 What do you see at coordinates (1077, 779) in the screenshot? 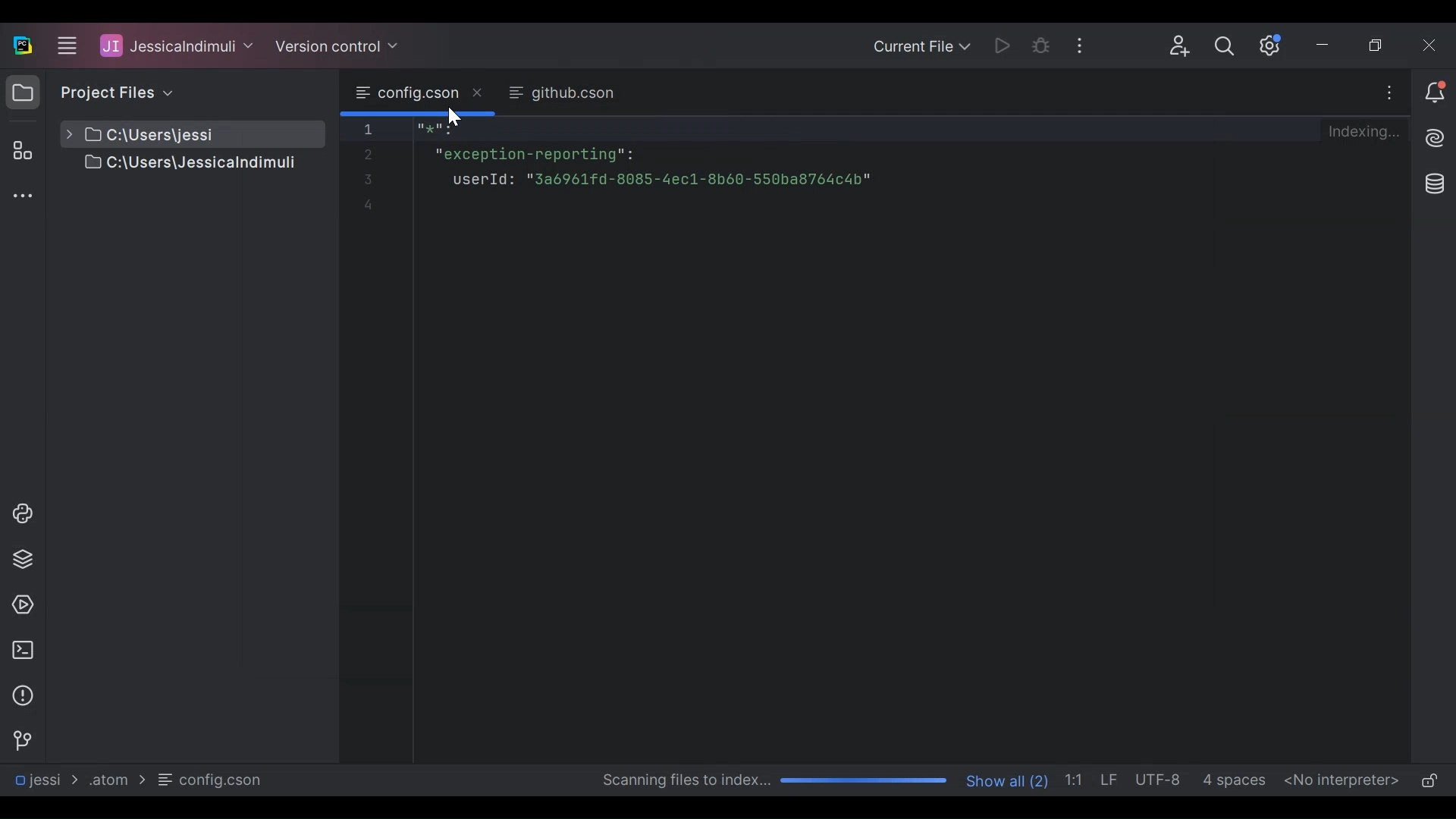
I see `Line Column` at bounding box center [1077, 779].